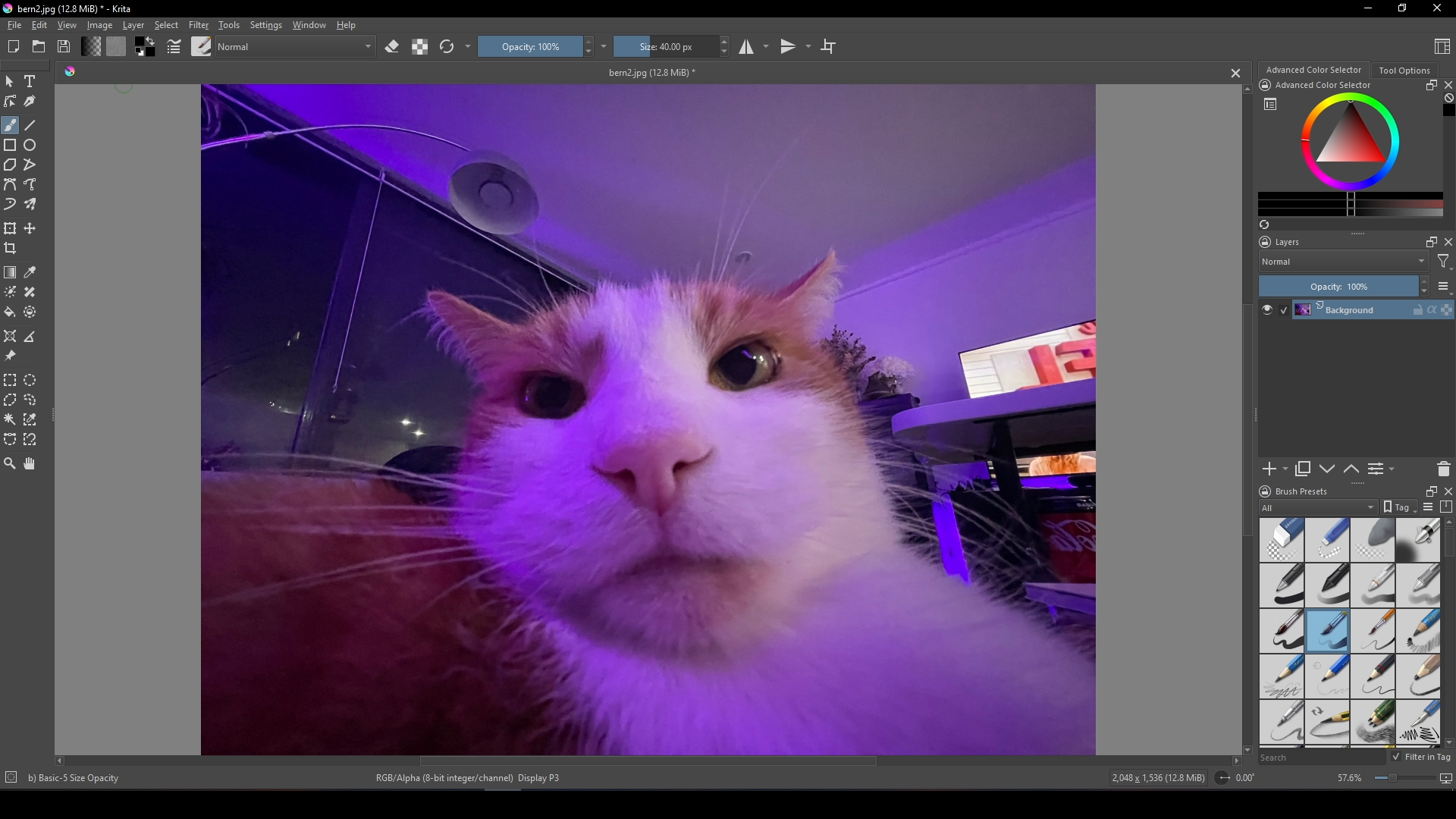 The width and height of the screenshot is (1456, 819). I want to click on Fill patterns, so click(117, 46).